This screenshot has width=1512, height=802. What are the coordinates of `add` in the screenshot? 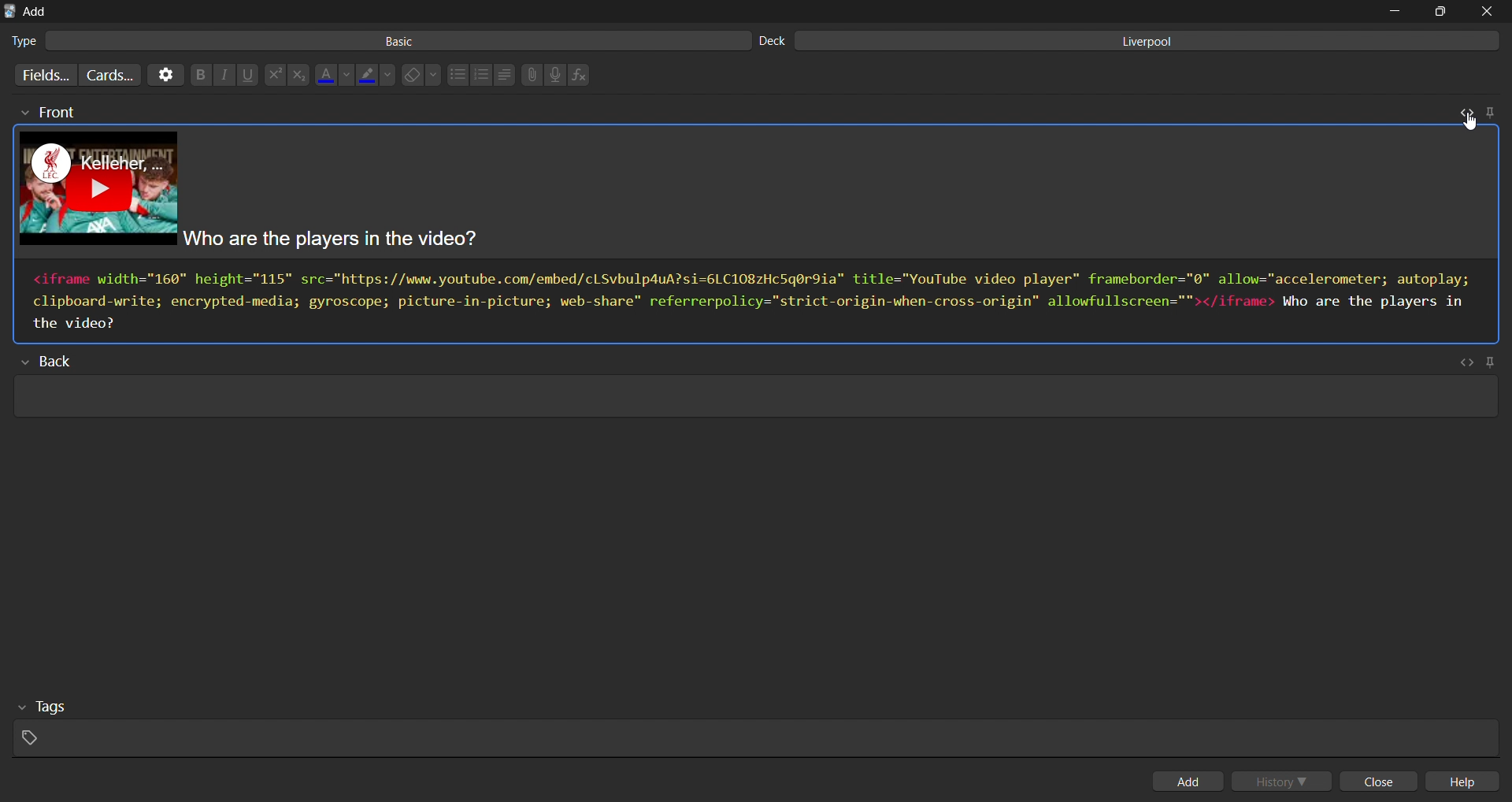 It's located at (1191, 781).